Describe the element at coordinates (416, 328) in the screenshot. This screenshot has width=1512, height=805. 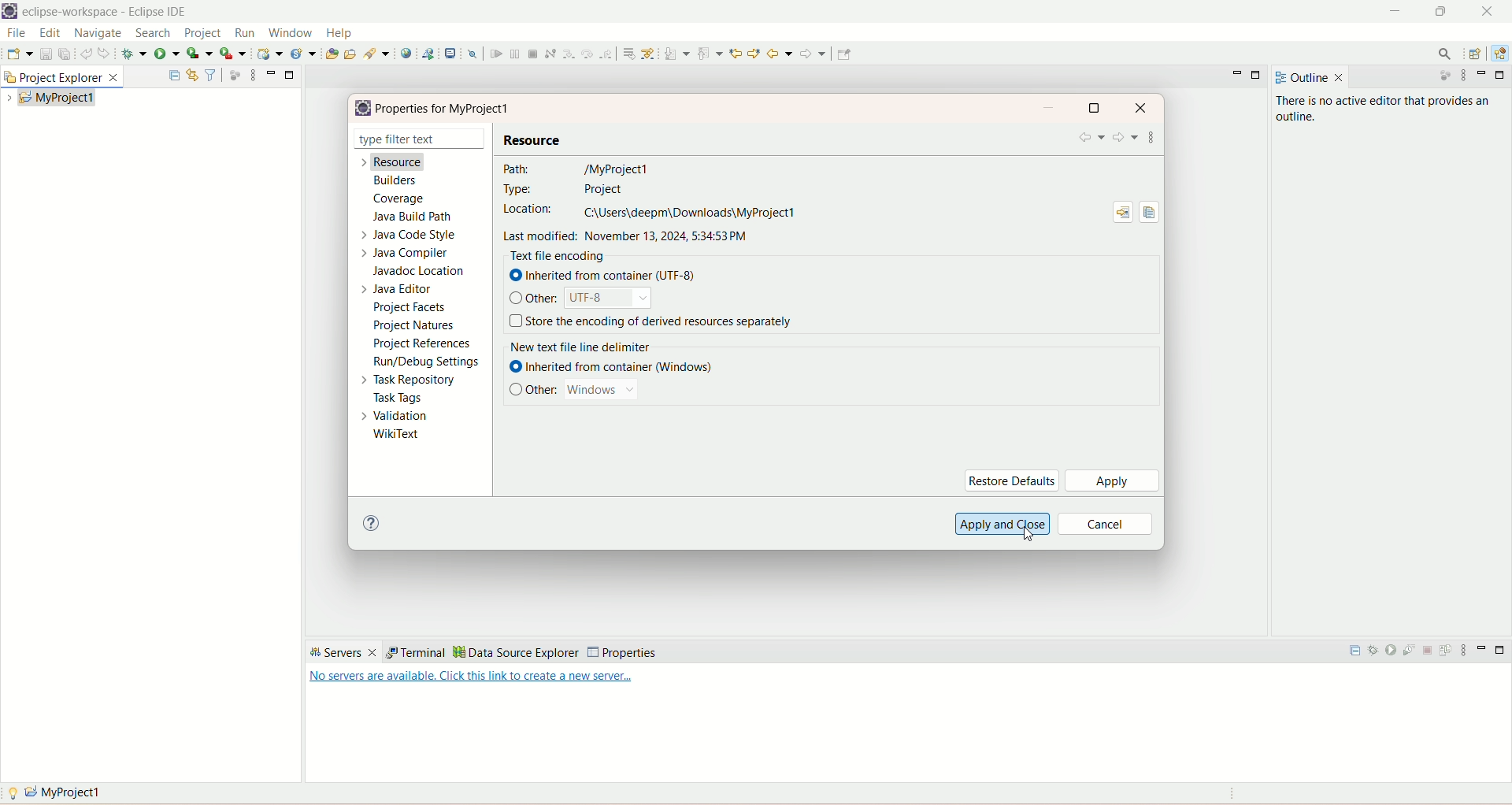
I see `project natures` at that location.